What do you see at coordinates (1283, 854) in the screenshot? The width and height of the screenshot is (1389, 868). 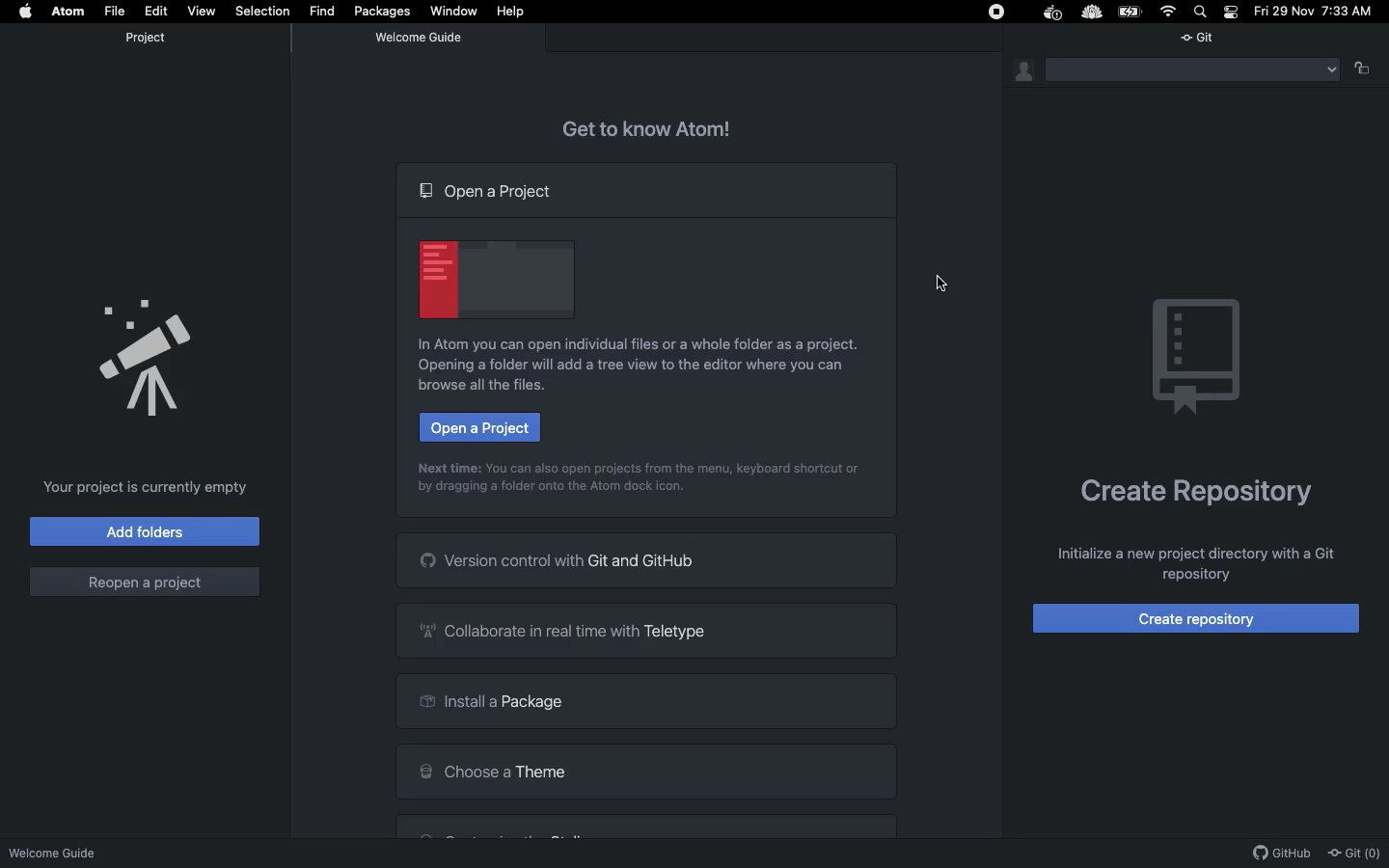 I see `Github` at bounding box center [1283, 854].